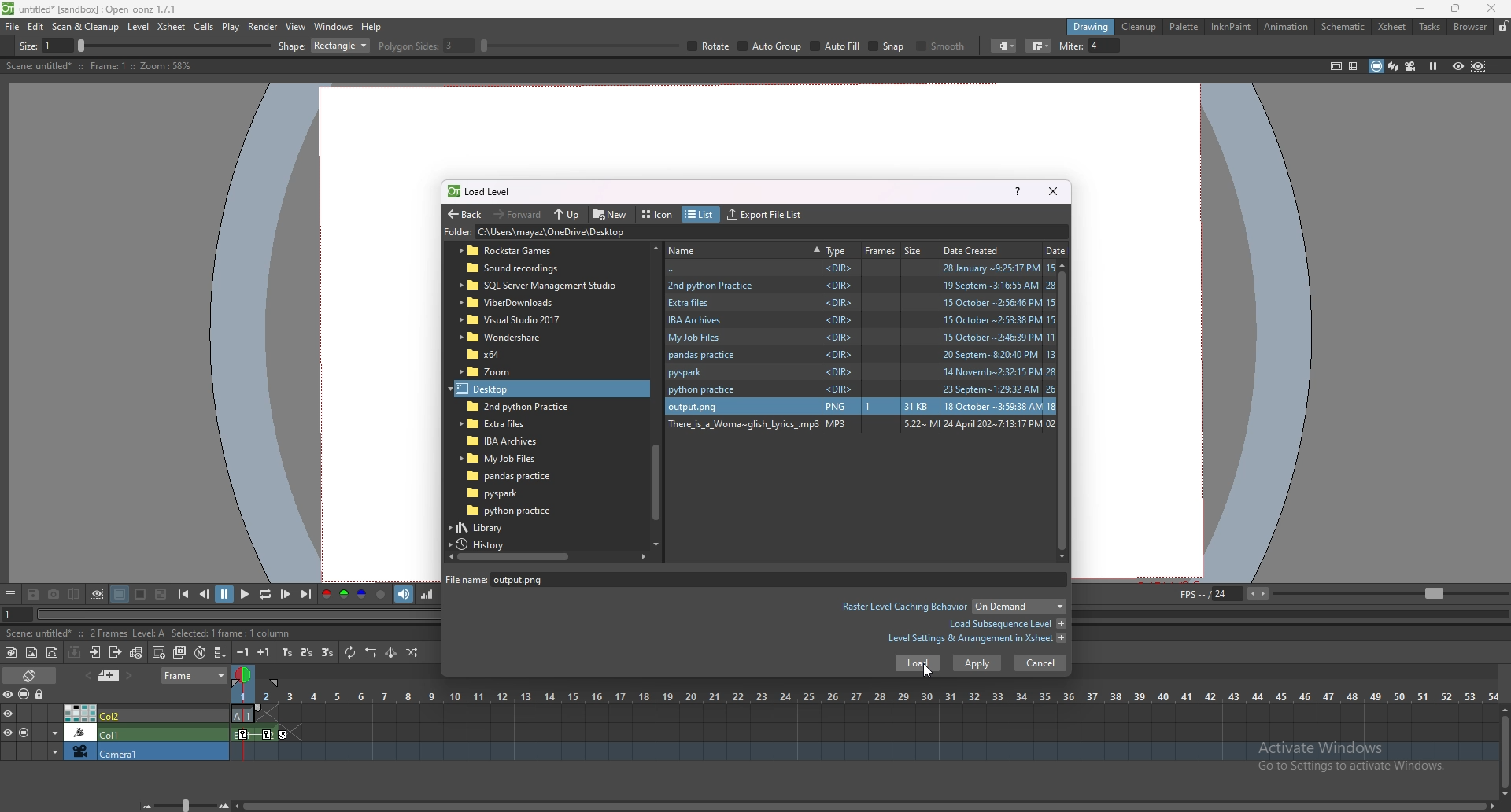 Image resolution: width=1511 pixels, height=812 pixels. I want to click on green channel, so click(343, 595).